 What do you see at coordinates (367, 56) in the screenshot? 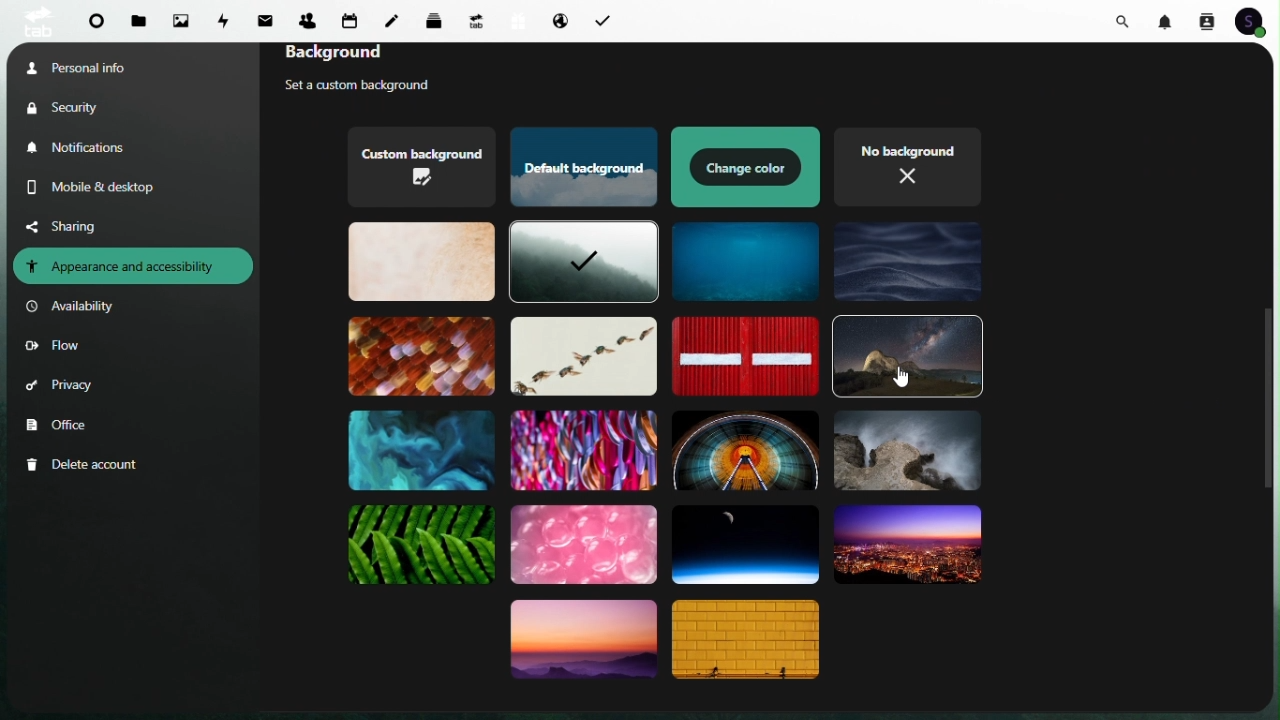
I see `Background` at bounding box center [367, 56].